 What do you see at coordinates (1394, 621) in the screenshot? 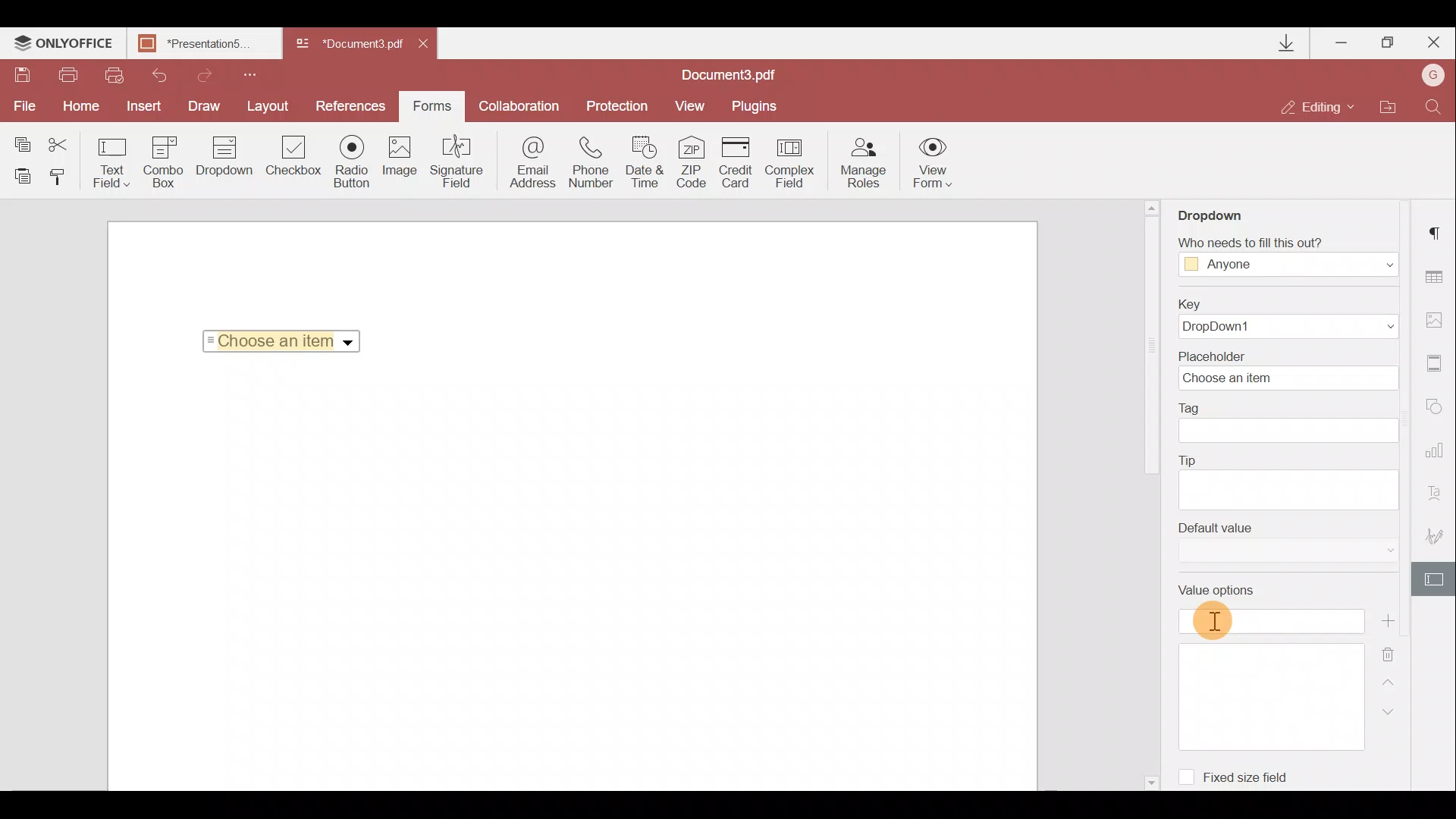
I see `Add new value` at bounding box center [1394, 621].